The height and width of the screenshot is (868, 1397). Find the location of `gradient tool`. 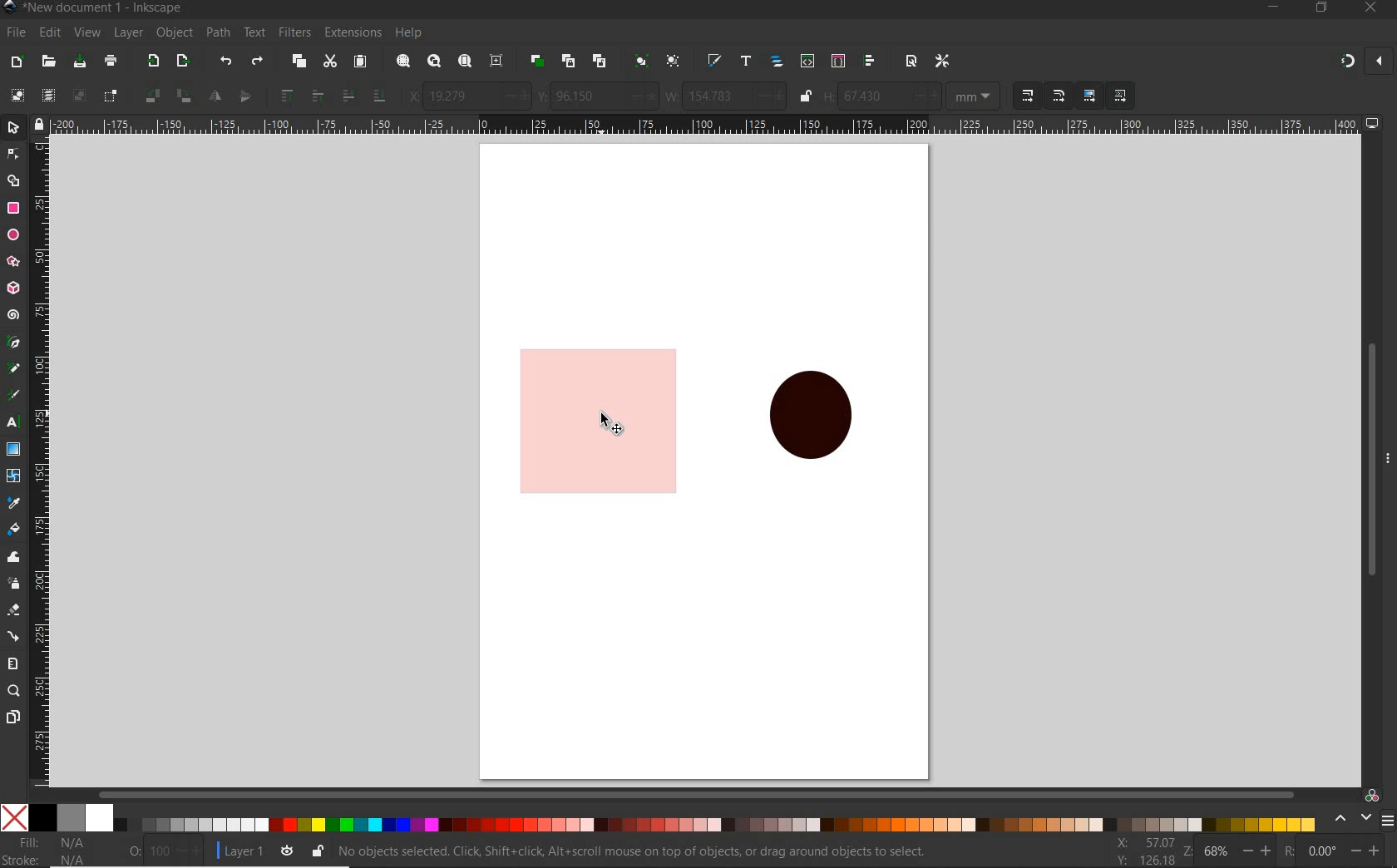

gradient tool is located at coordinates (14, 448).